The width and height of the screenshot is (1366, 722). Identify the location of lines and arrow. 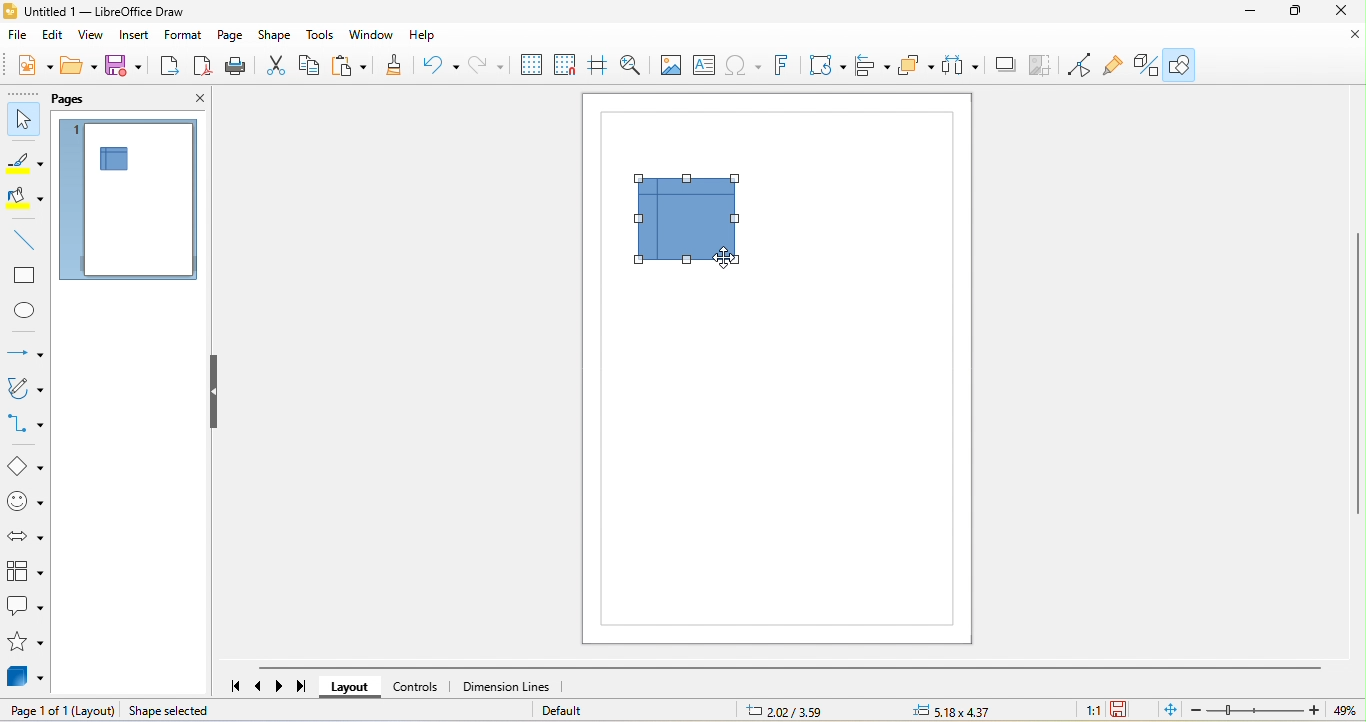
(24, 352).